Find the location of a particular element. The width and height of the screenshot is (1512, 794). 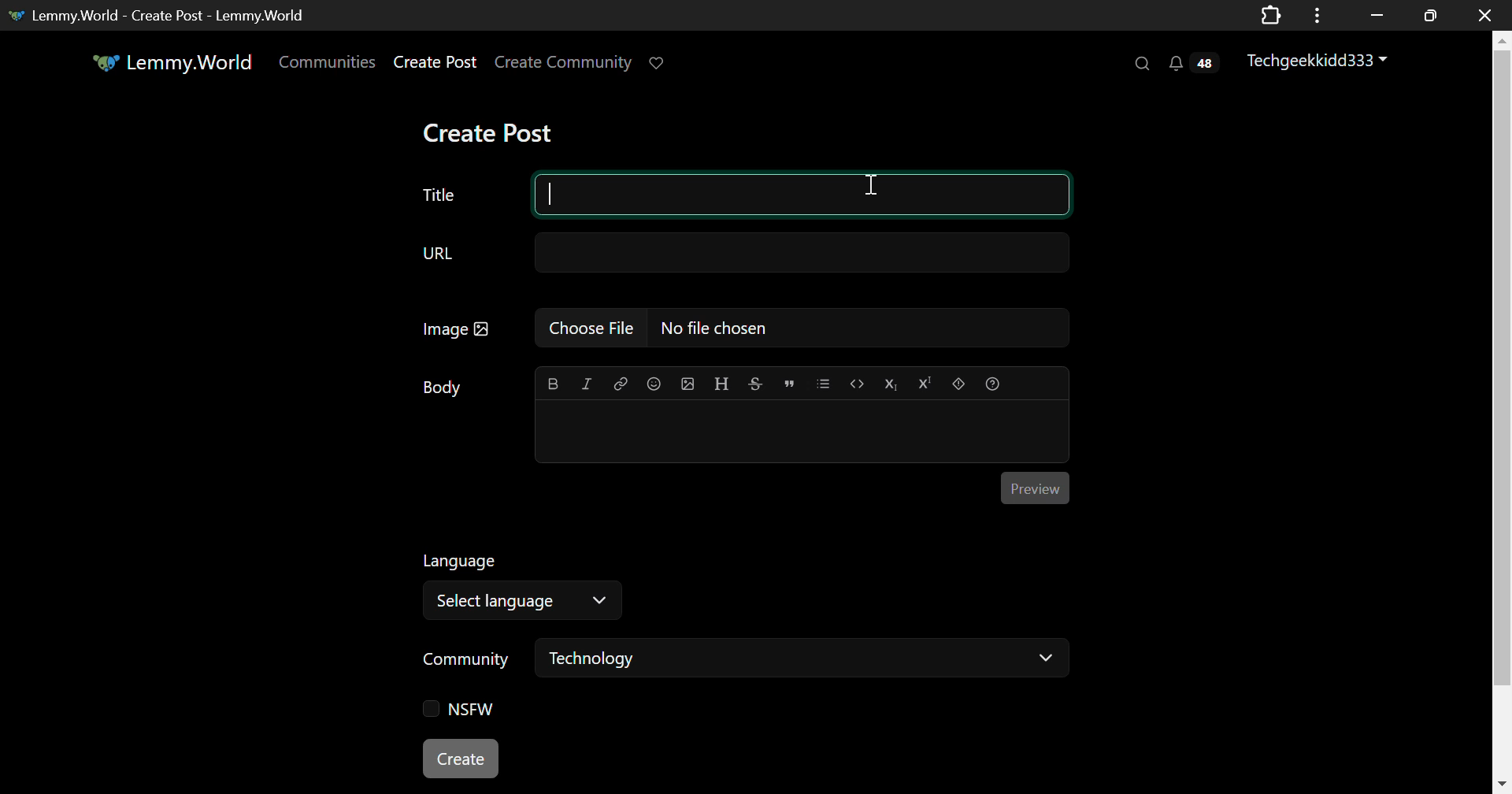

Title: Looking for Collaborators! is located at coordinates (746, 195).